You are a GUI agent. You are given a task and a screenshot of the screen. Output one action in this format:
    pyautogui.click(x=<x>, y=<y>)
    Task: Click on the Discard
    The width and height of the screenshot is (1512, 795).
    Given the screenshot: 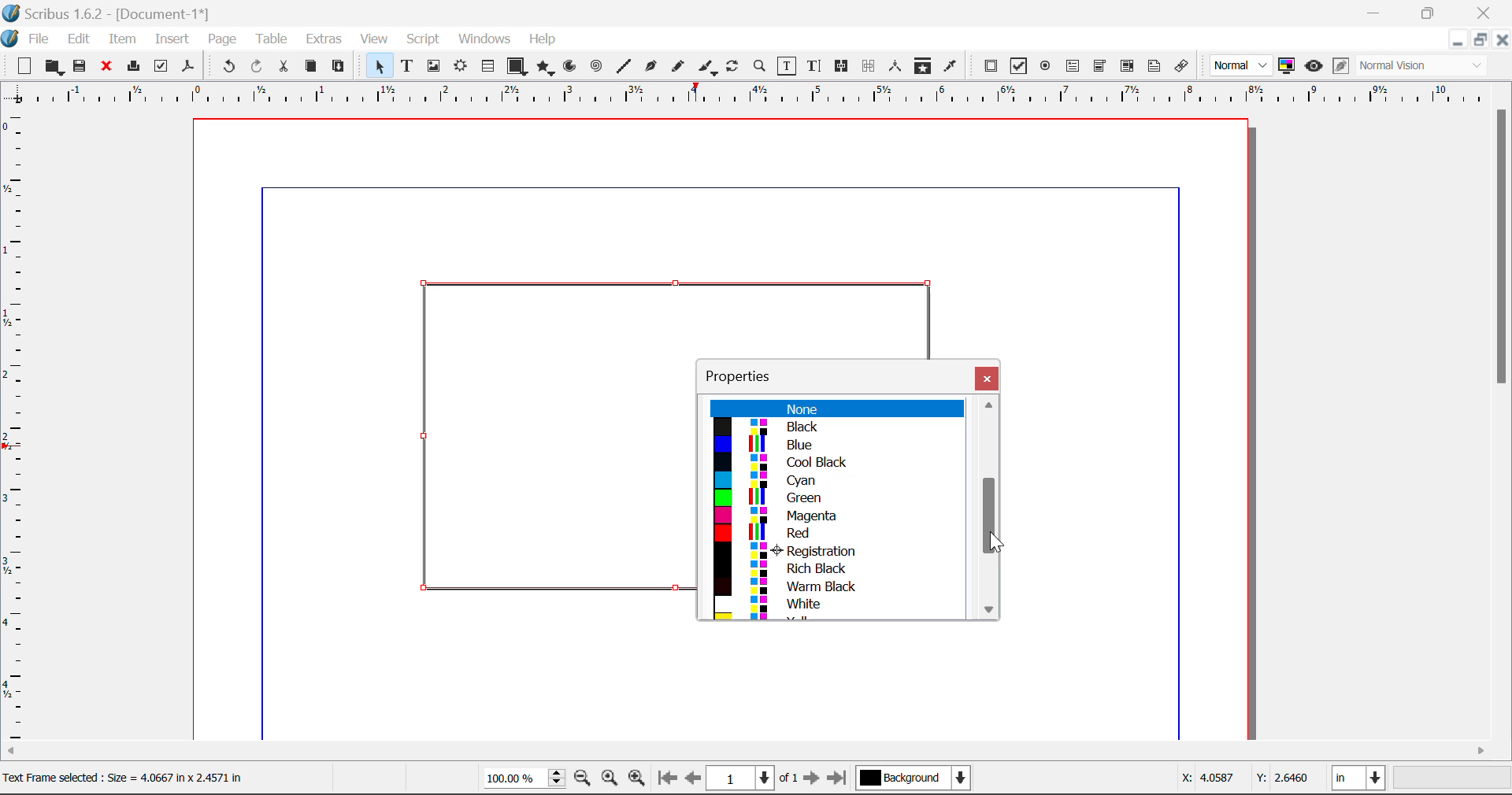 What is the action you would take?
    pyautogui.click(x=107, y=67)
    